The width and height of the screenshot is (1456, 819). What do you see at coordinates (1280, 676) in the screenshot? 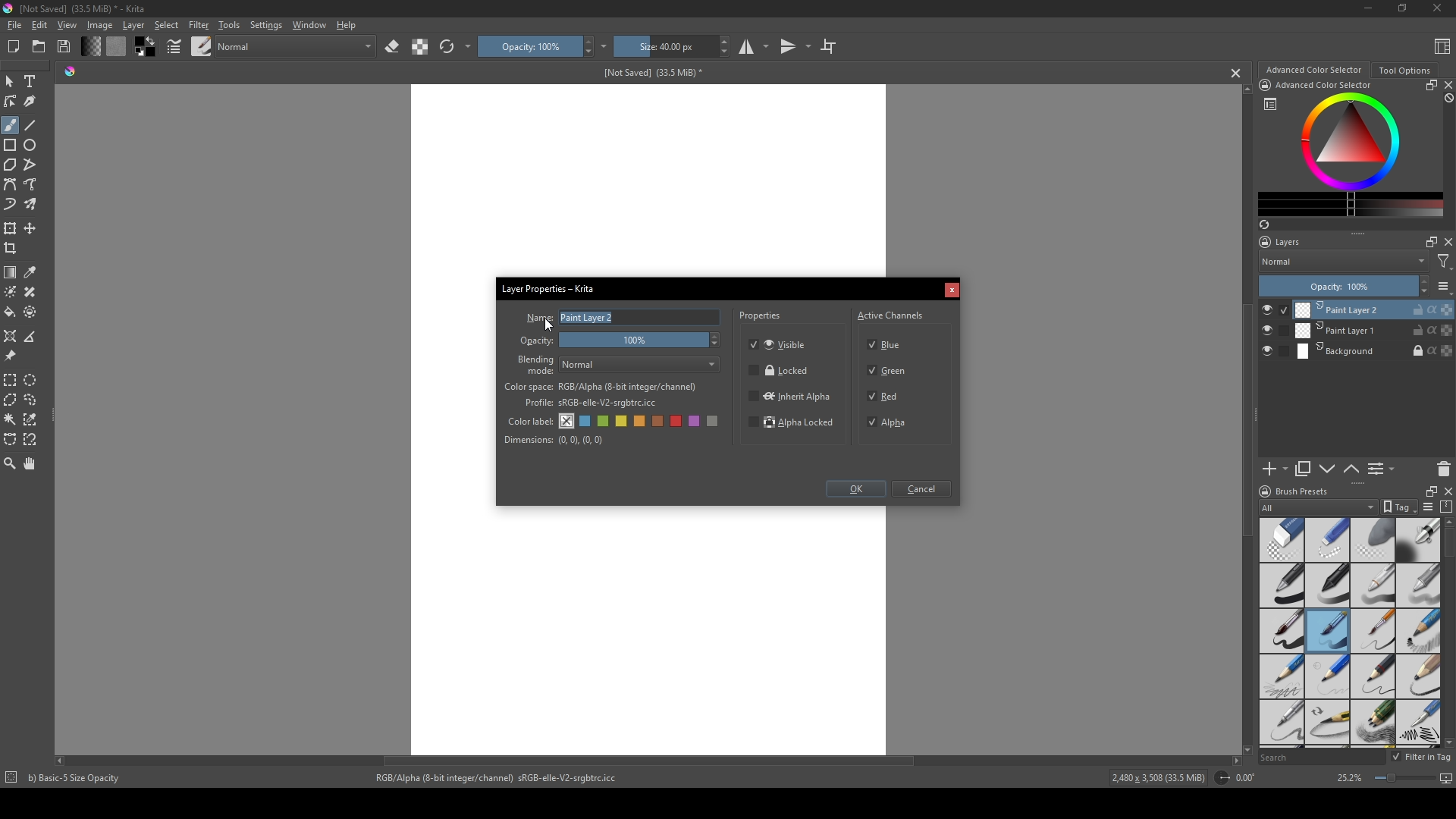
I see `pencil` at bounding box center [1280, 676].